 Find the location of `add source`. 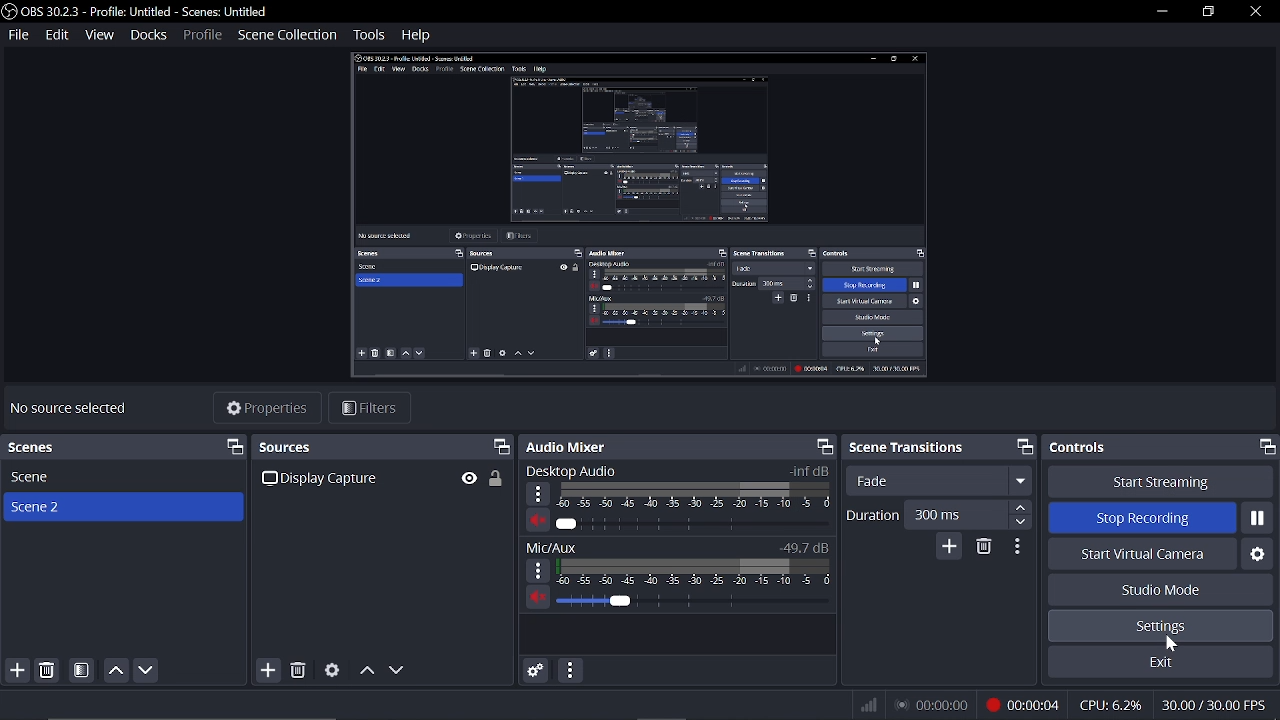

add source is located at coordinates (268, 669).